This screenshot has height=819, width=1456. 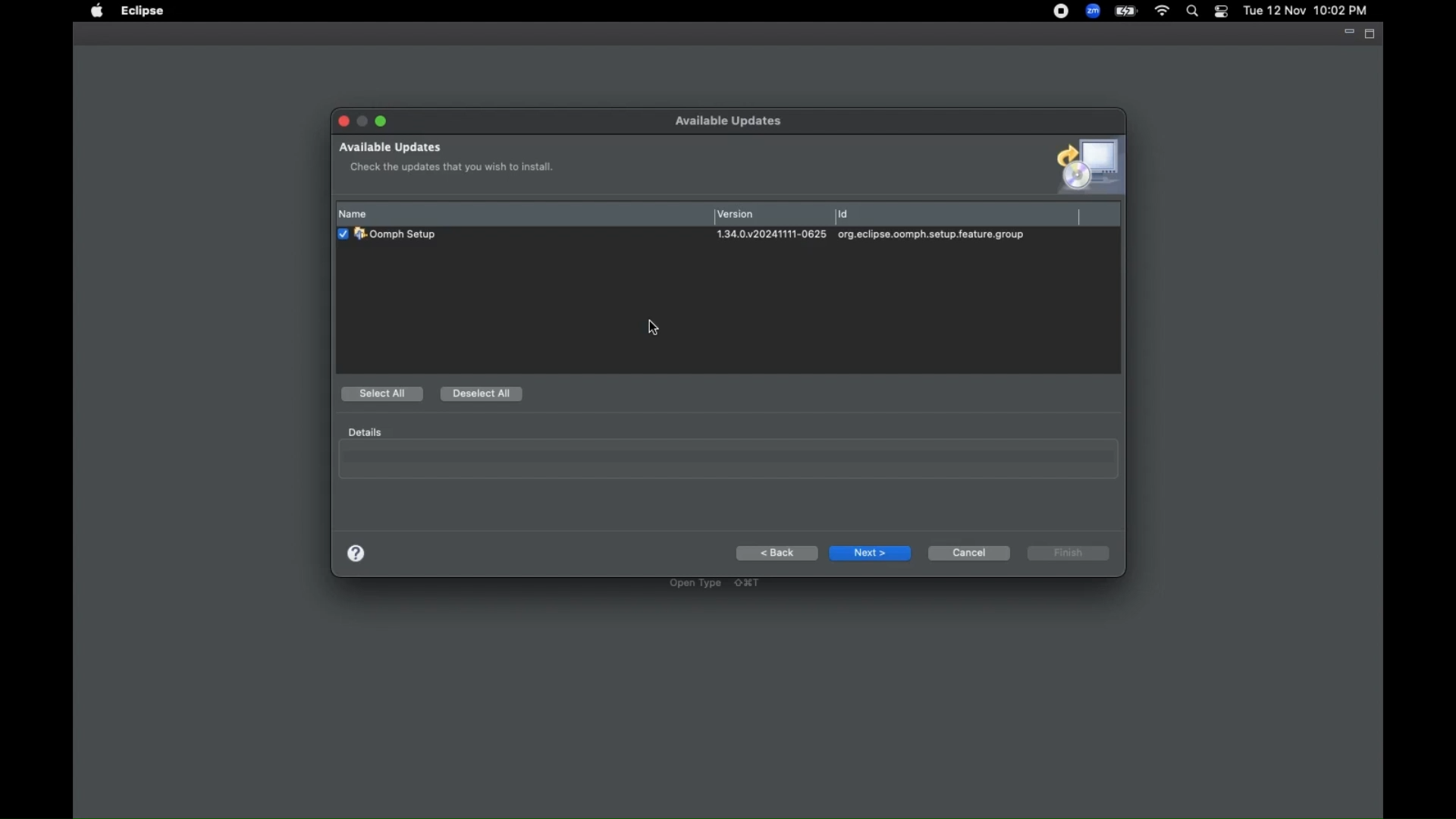 What do you see at coordinates (654, 328) in the screenshot?
I see `Cursor` at bounding box center [654, 328].